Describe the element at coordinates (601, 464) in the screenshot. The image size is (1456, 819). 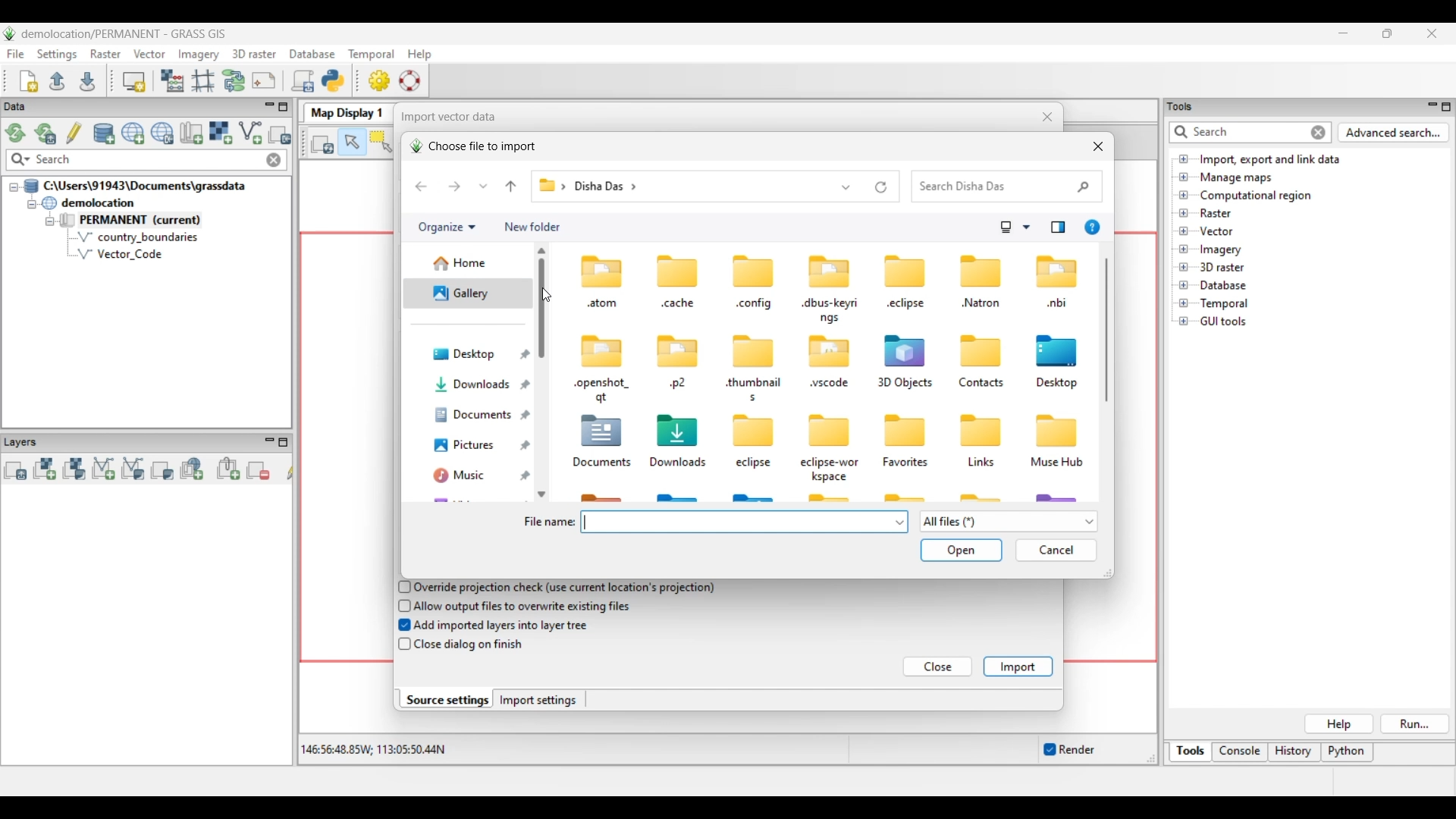
I see `Documents` at that location.